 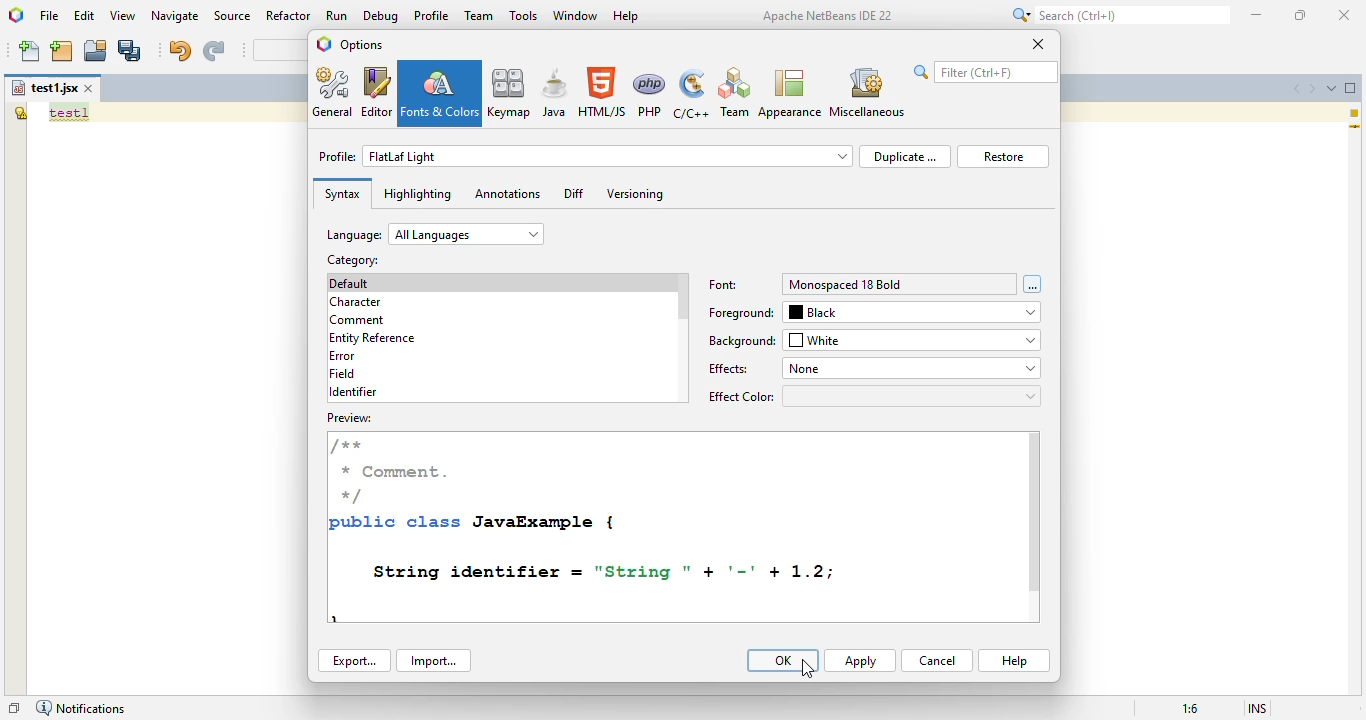 I want to click on category, so click(x=353, y=259).